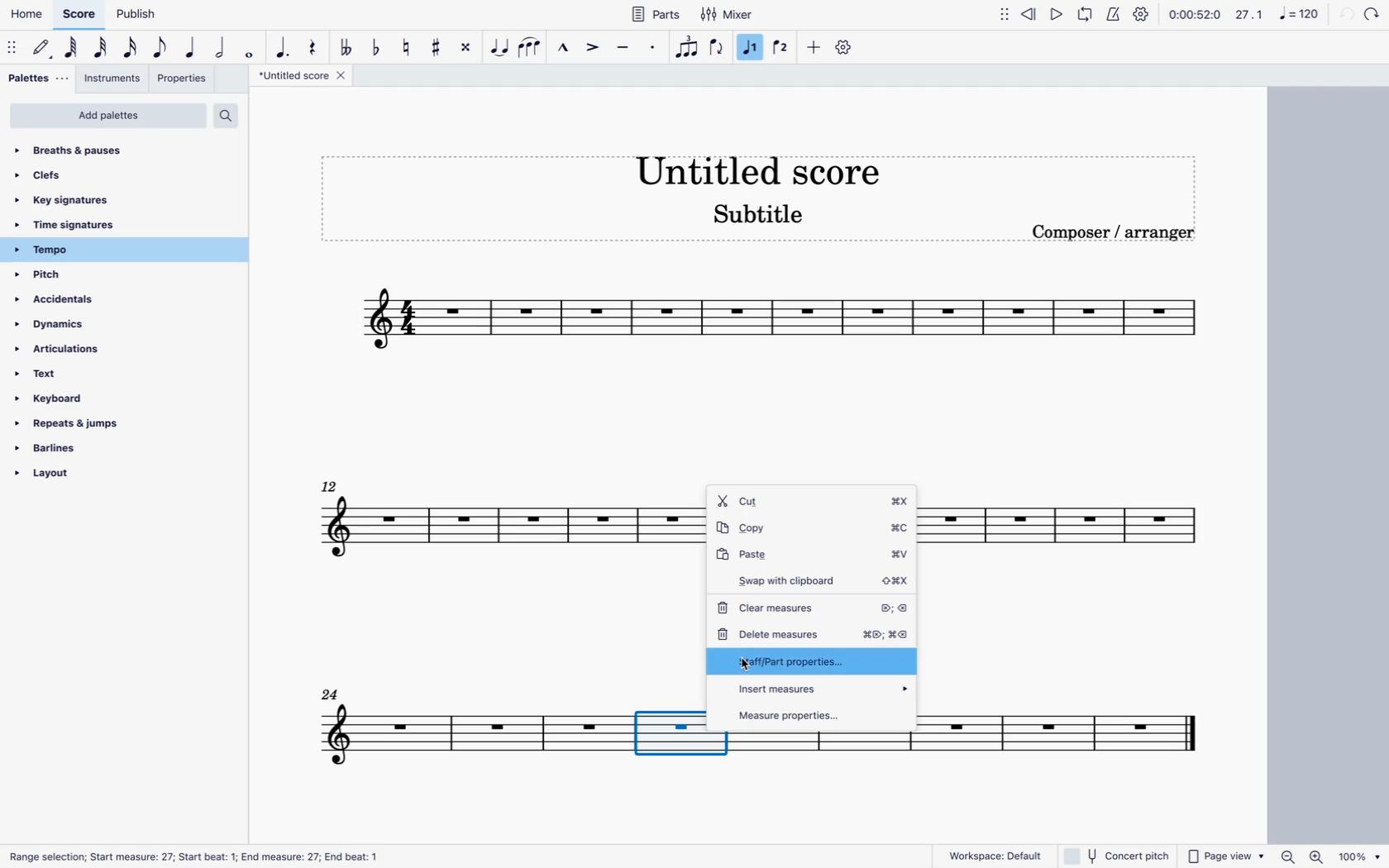 The width and height of the screenshot is (1389, 868). I want to click on toggle natural, so click(408, 48).